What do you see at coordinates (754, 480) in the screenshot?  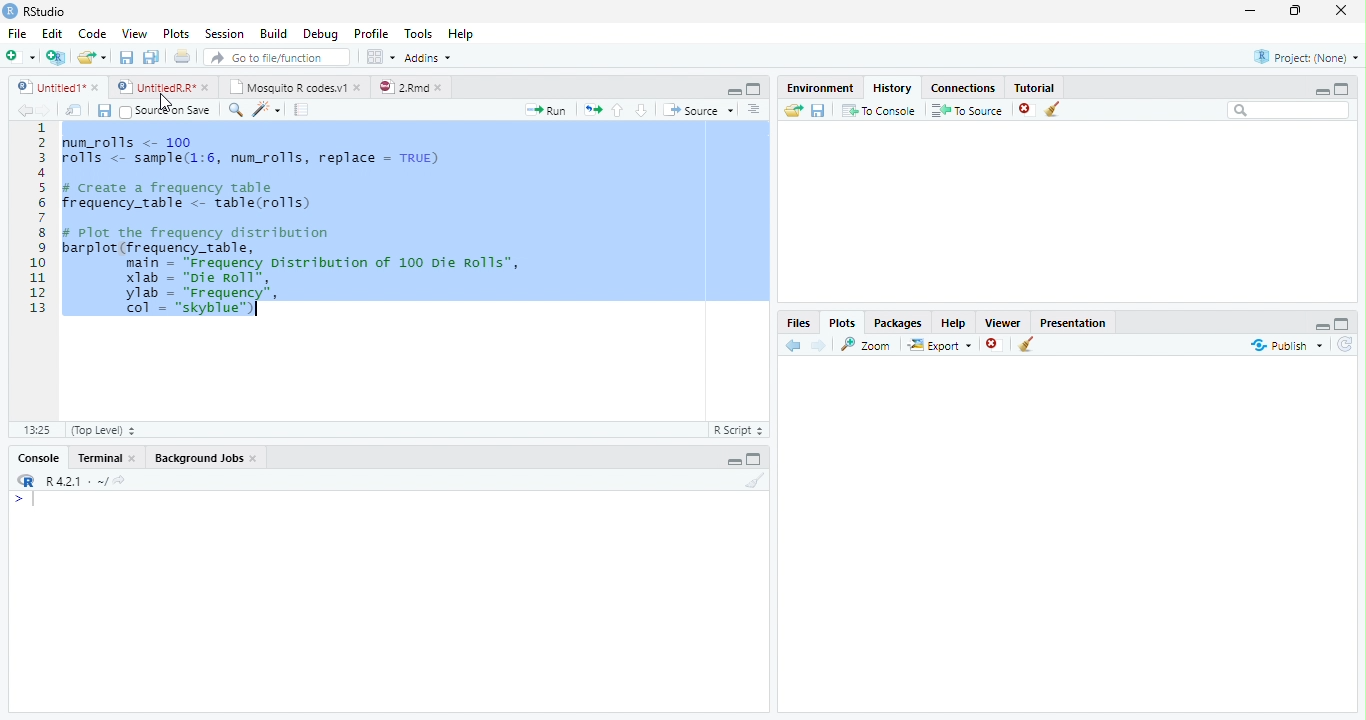 I see `Clear` at bounding box center [754, 480].